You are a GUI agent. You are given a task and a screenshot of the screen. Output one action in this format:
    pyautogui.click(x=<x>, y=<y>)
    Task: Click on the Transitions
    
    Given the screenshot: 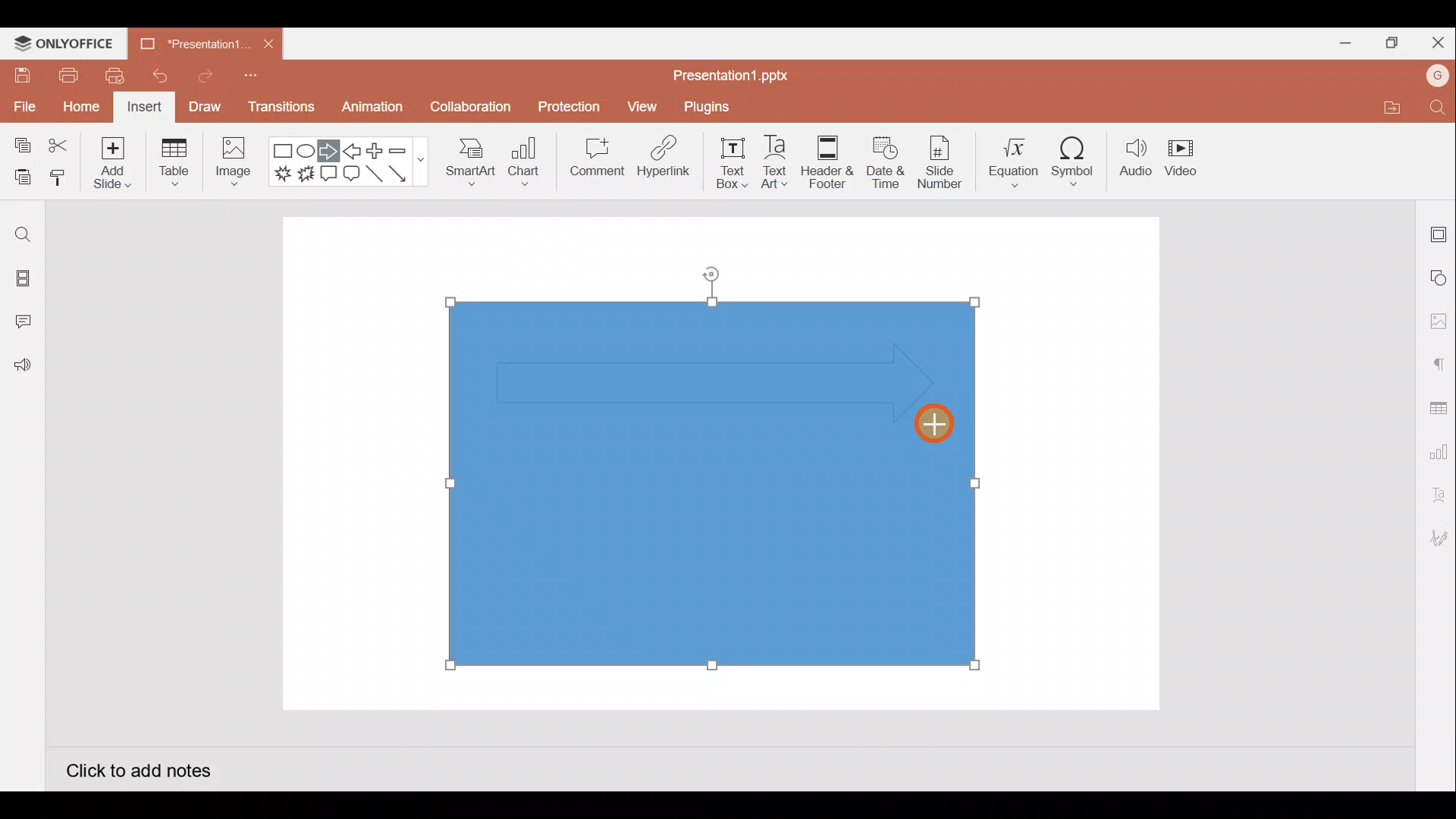 What is the action you would take?
    pyautogui.click(x=282, y=111)
    